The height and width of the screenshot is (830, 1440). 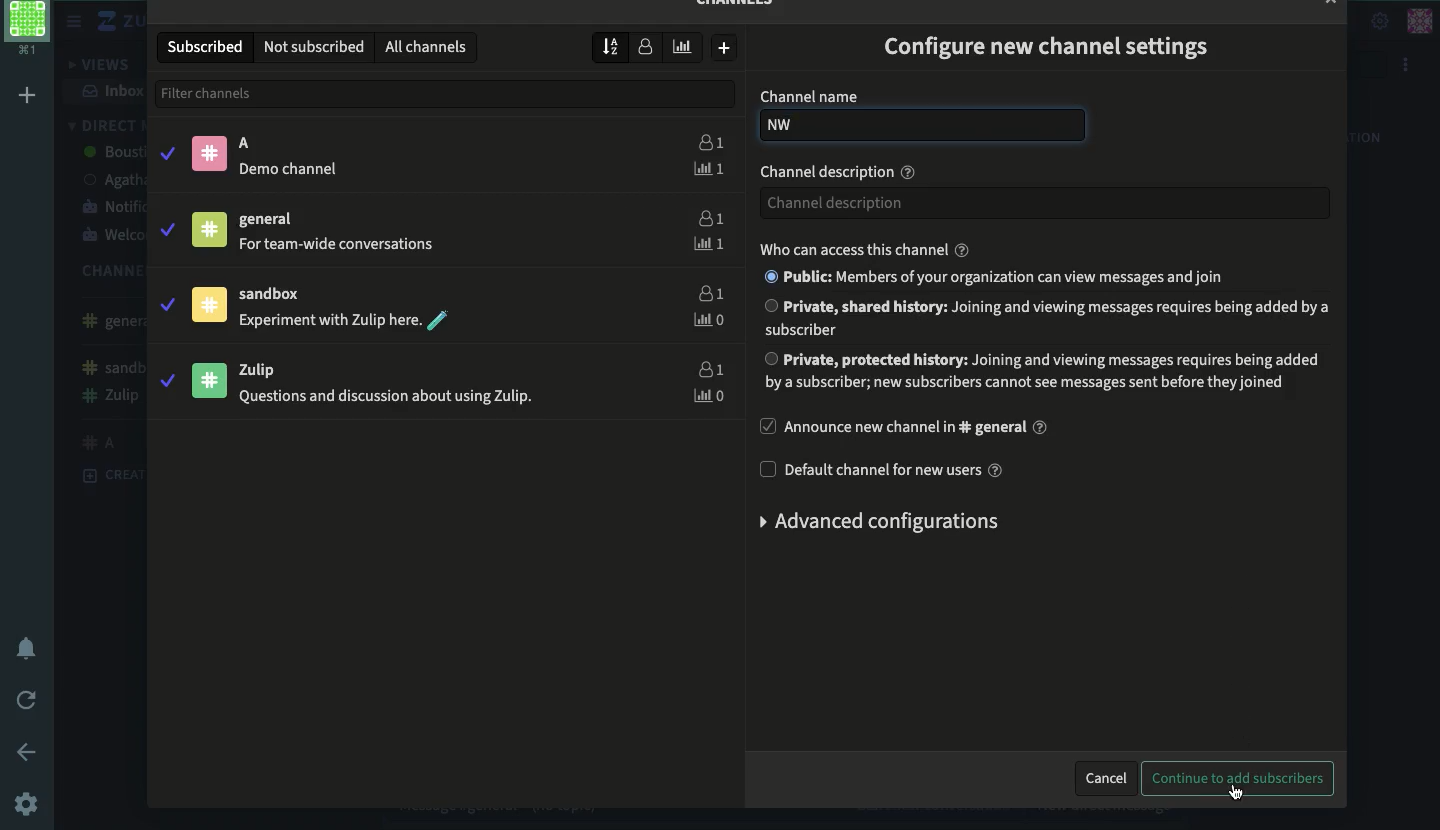 What do you see at coordinates (95, 66) in the screenshot?
I see `views` at bounding box center [95, 66].